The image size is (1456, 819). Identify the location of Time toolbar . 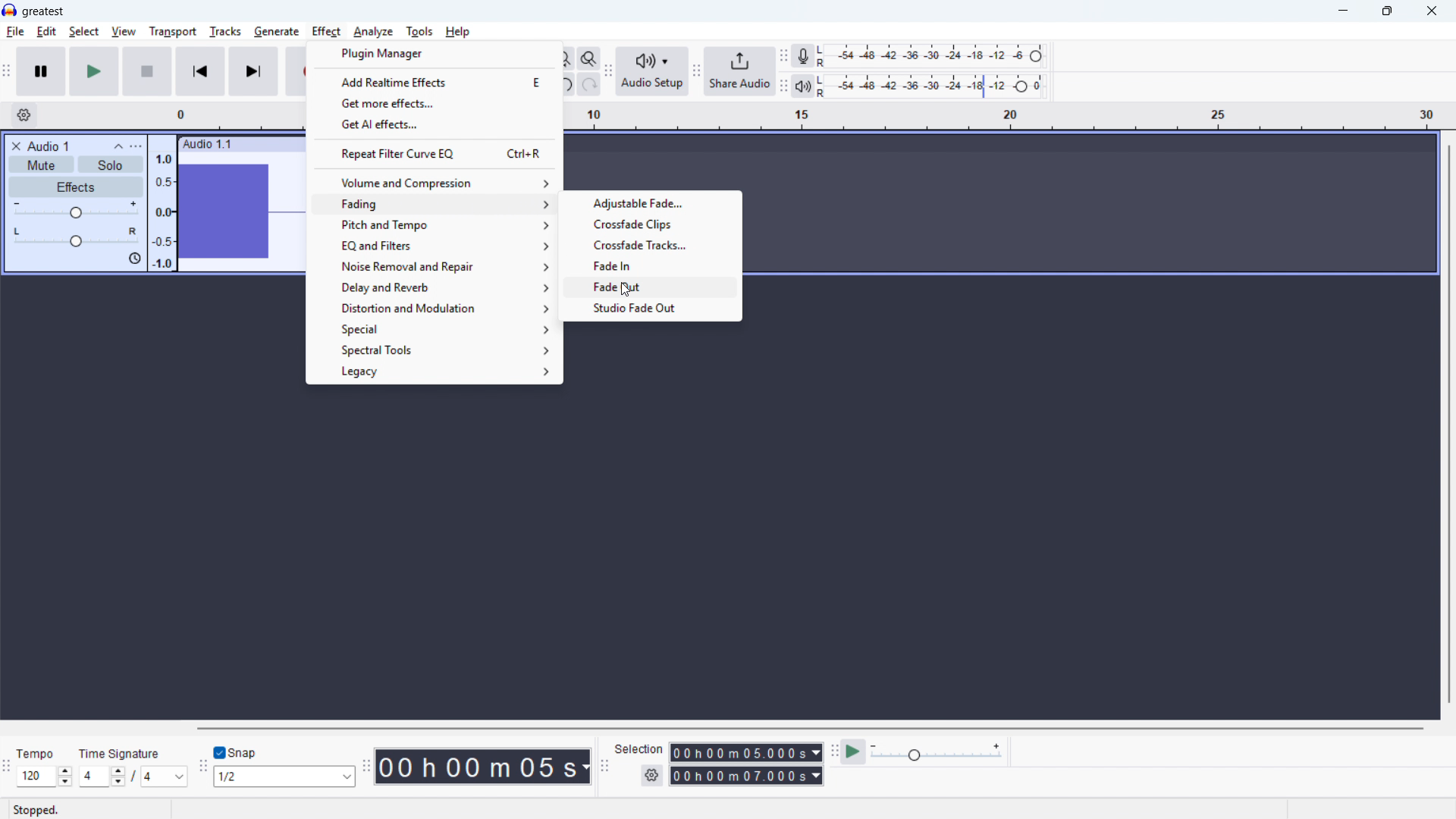
(366, 766).